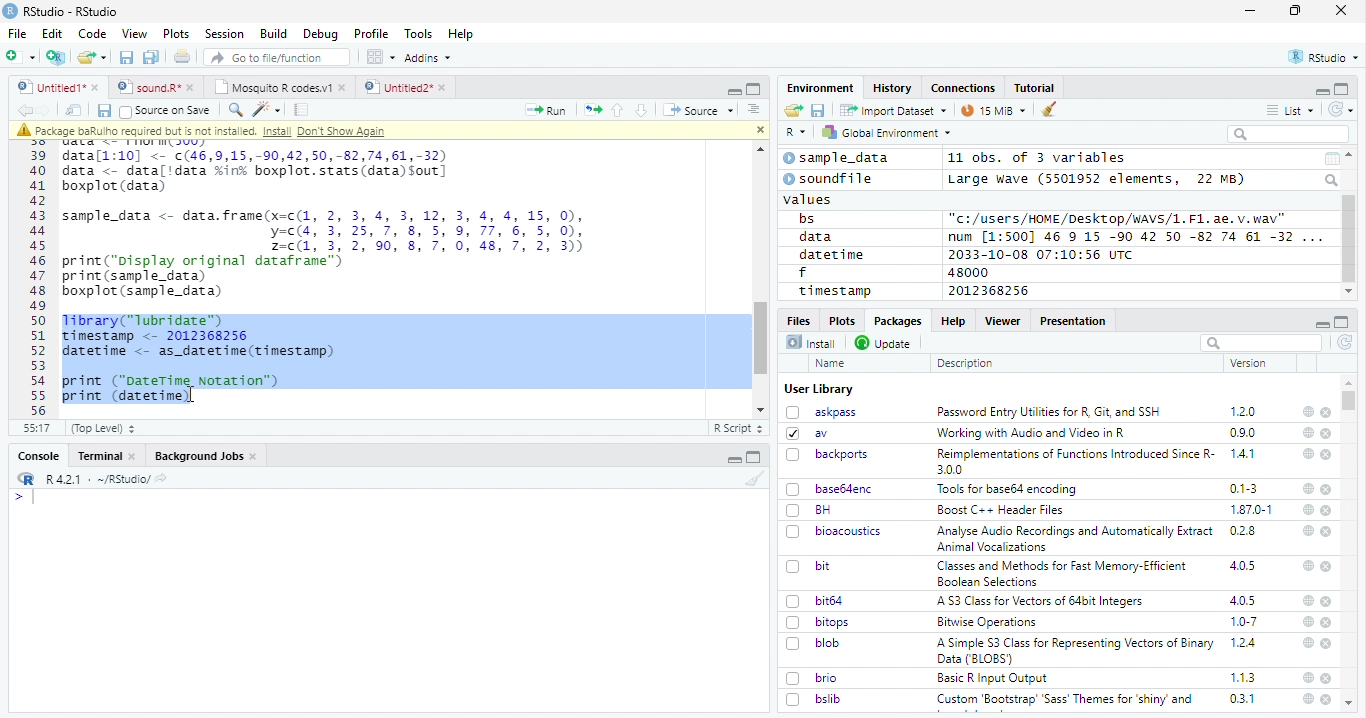 The width and height of the screenshot is (1366, 718). Describe the element at coordinates (321, 34) in the screenshot. I see `Debug` at that location.